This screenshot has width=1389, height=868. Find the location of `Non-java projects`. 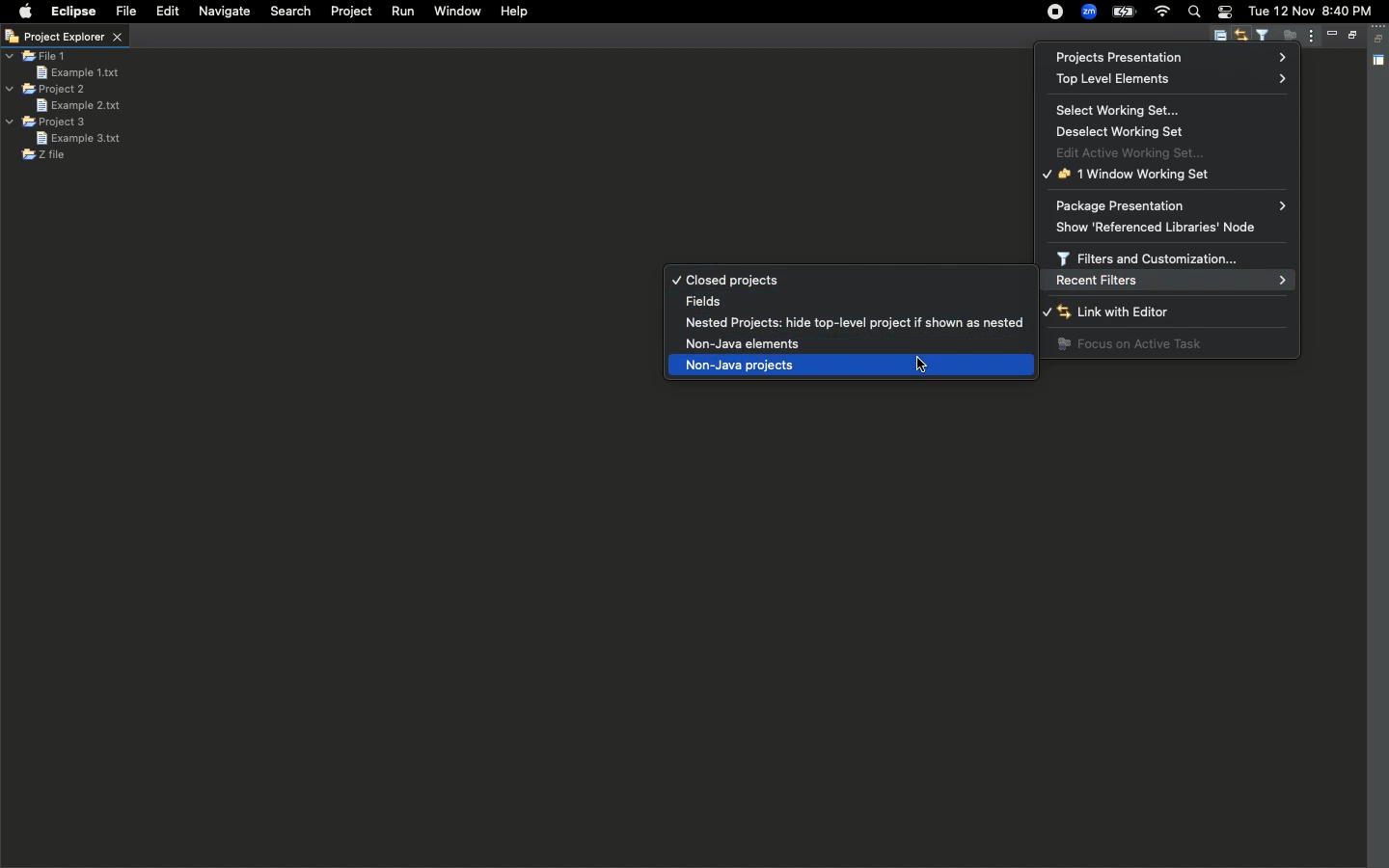

Non-java projects is located at coordinates (741, 366).